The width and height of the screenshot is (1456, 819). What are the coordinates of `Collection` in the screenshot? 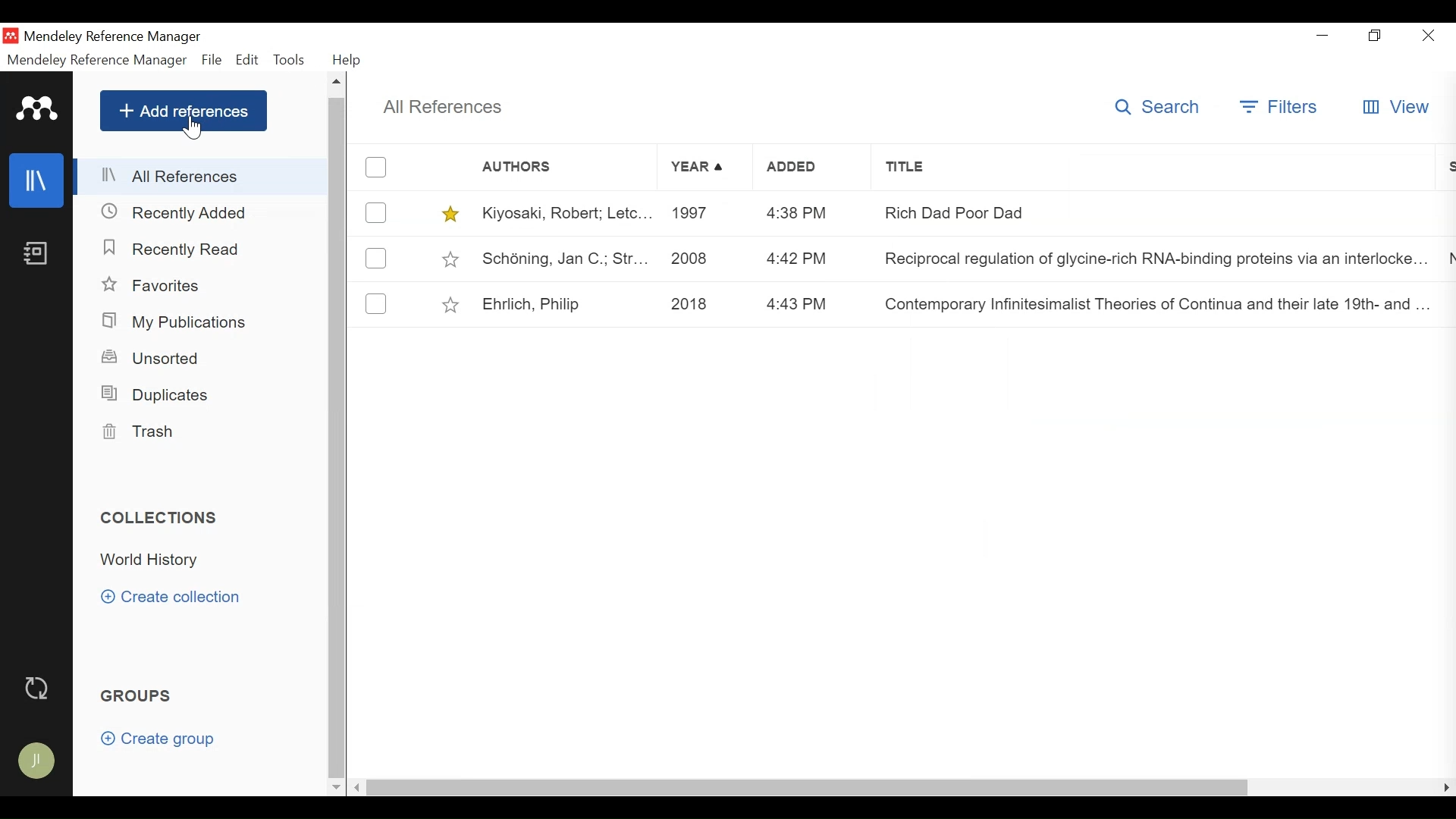 It's located at (208, 561).